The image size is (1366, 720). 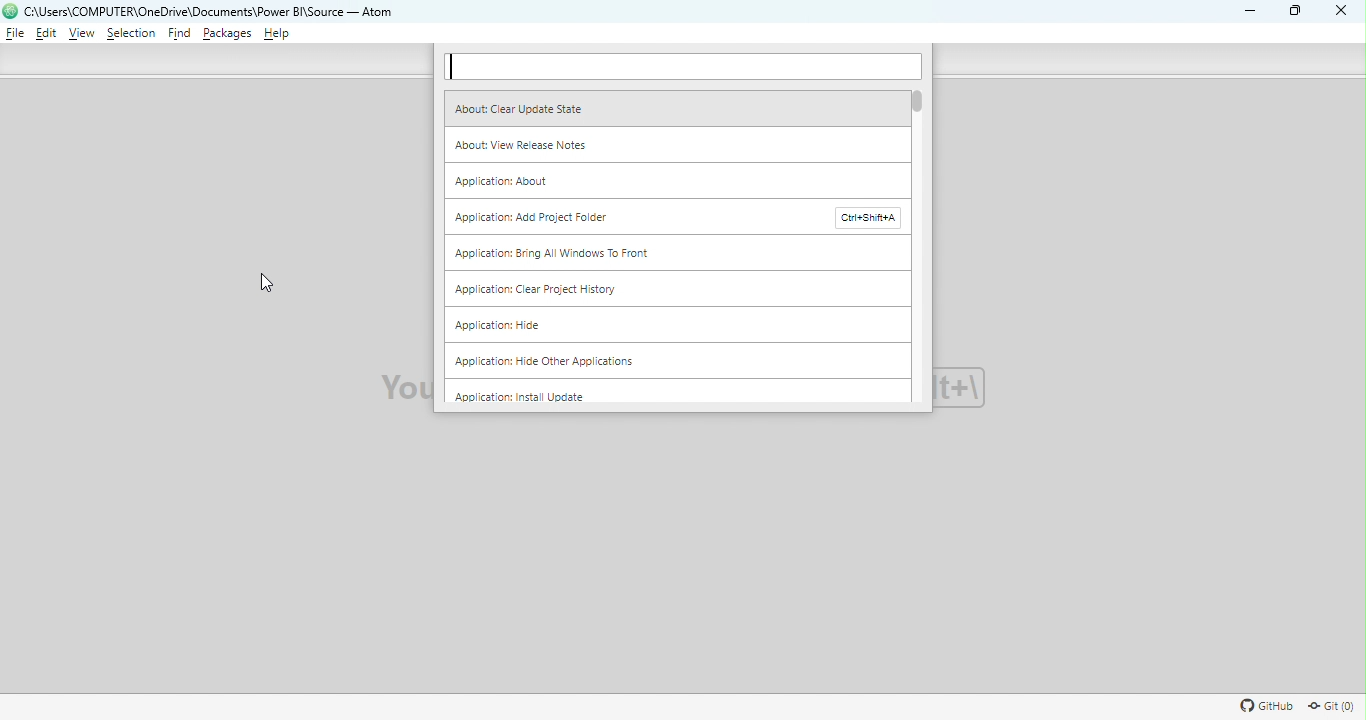 I want to click on About: View release notes, so click(x=680, y=144).